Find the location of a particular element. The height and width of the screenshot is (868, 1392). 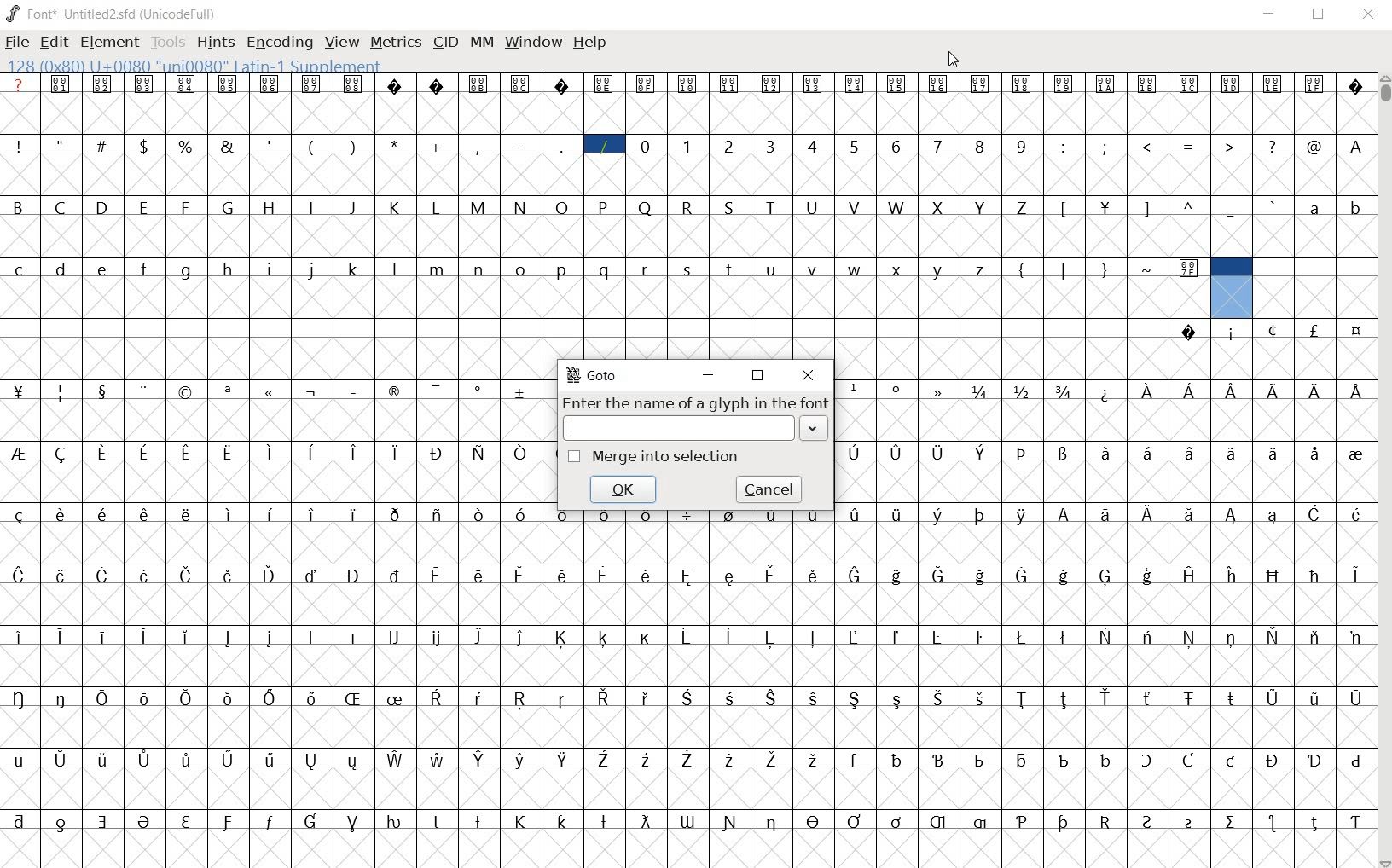

; is located at coordinates (1106, 146).